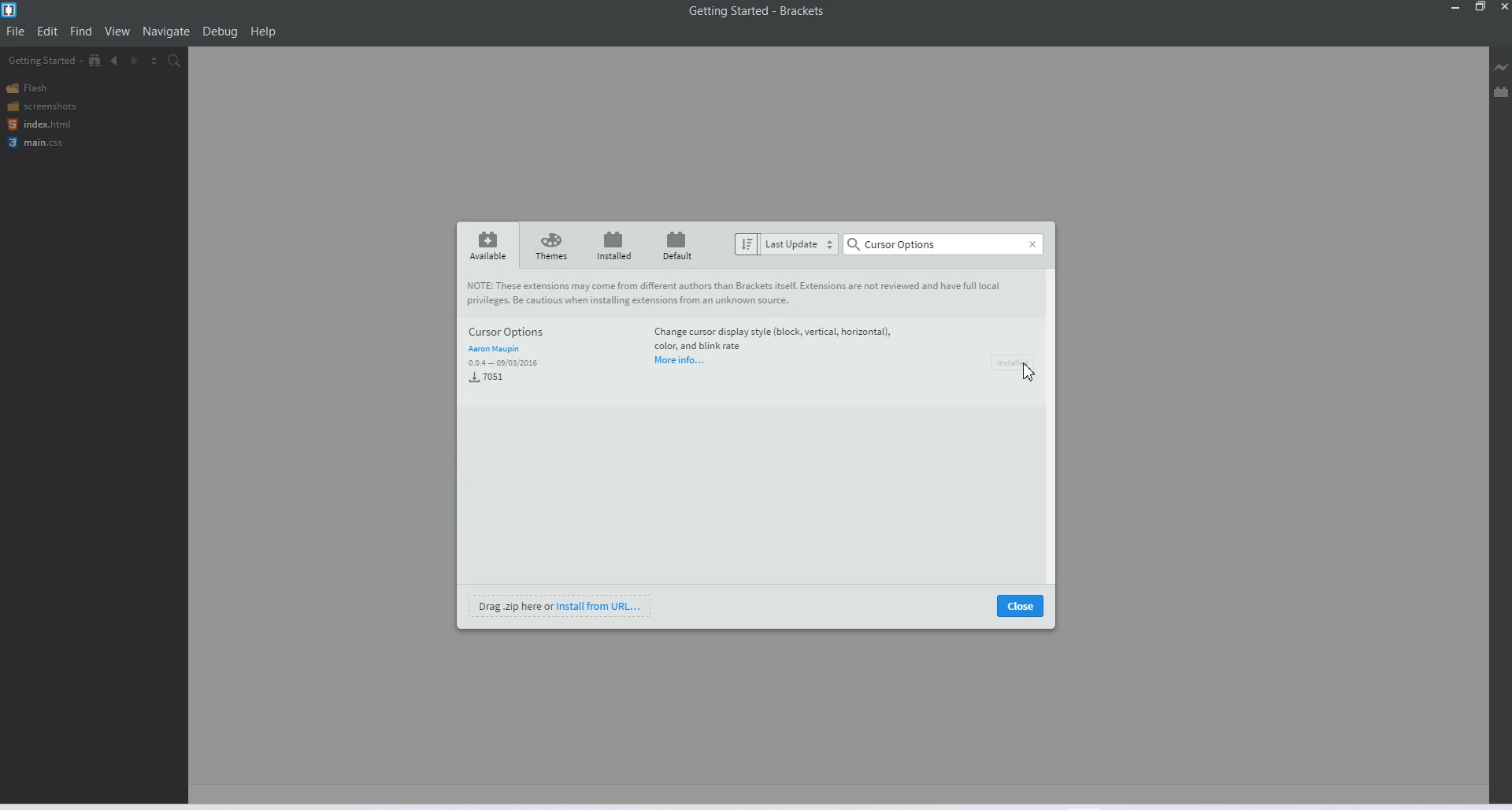  What do you see at coordinates (15, 31) in the screenshot?
I see `File` at bounding box center [15, 31].